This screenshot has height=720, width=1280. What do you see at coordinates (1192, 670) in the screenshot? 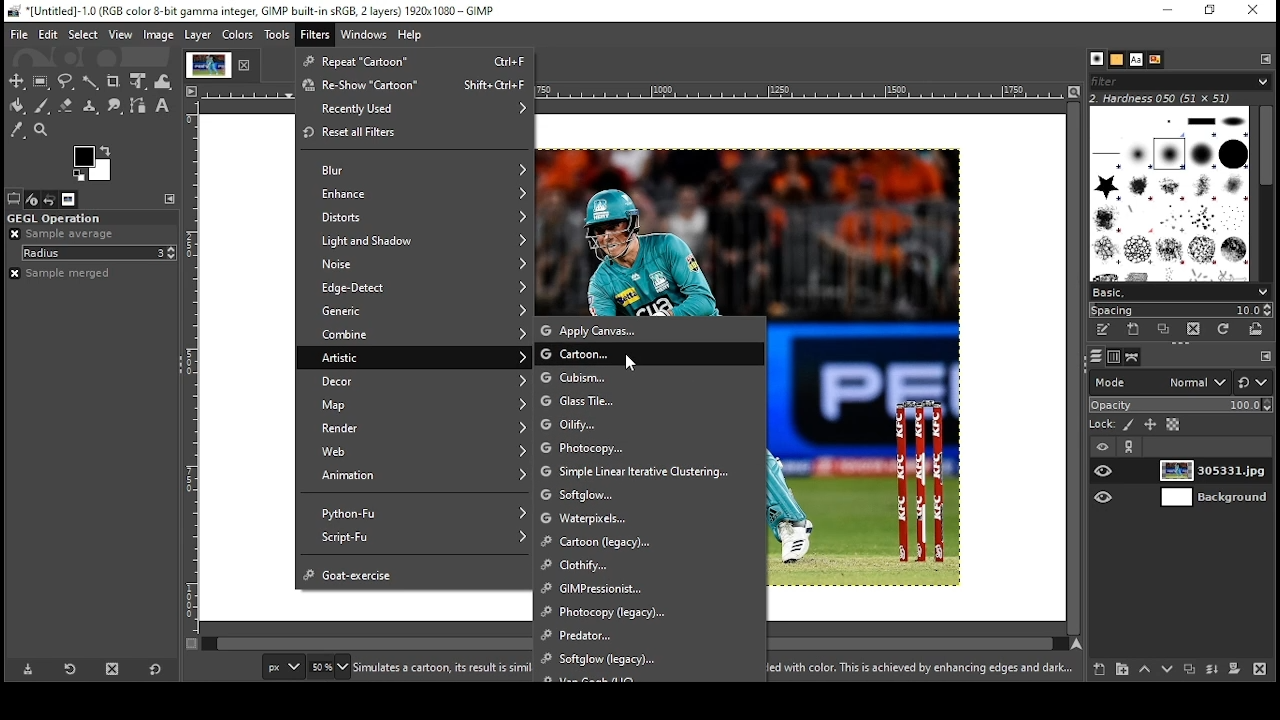
I see `duplicate layer` at bounding box center [1192, 670].